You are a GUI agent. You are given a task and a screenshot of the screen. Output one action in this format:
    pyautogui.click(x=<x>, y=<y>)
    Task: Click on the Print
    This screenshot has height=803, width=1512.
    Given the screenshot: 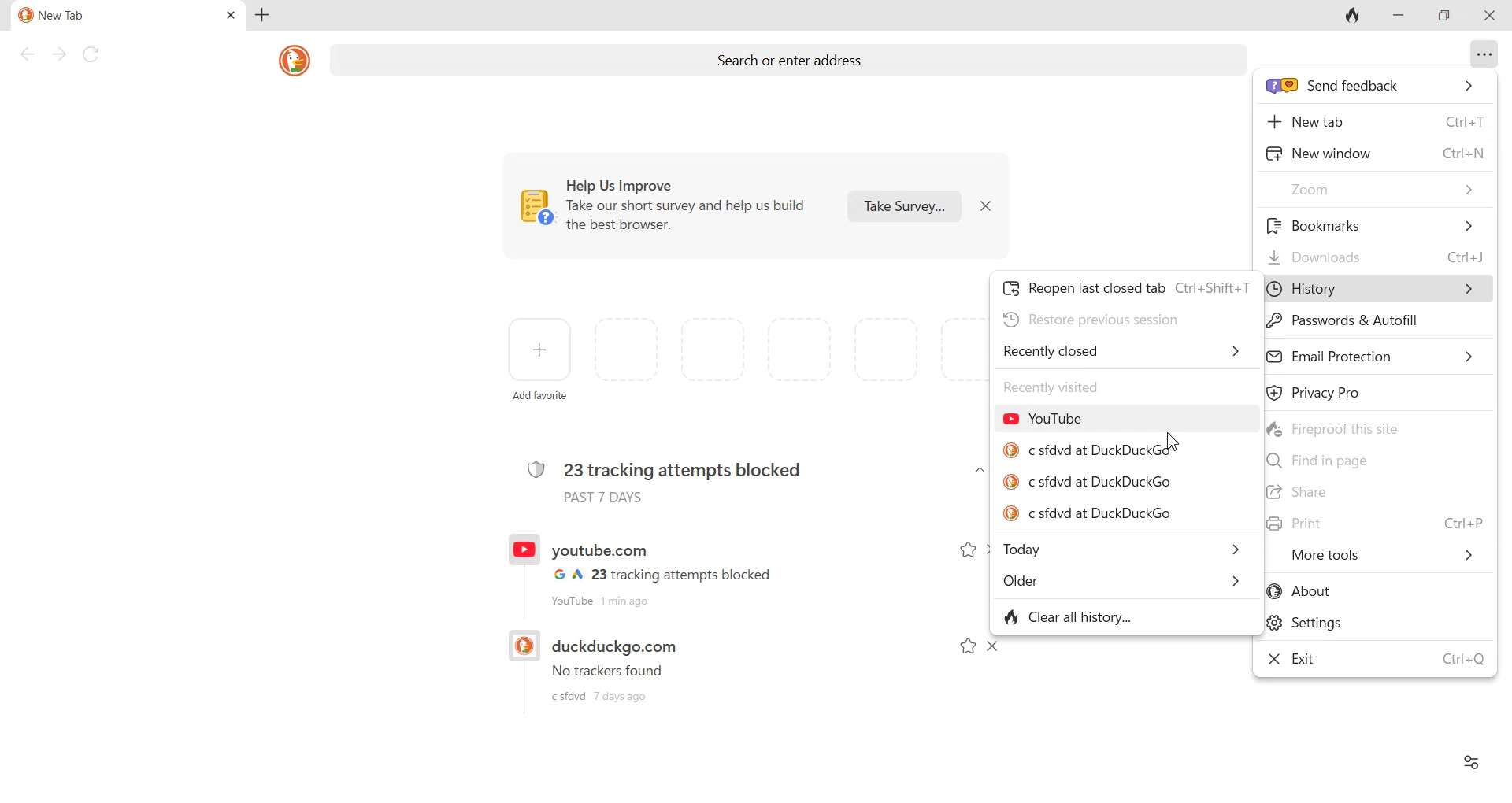 What is the action you would take?
    pyautogui.click(x=1376, y=523)
    